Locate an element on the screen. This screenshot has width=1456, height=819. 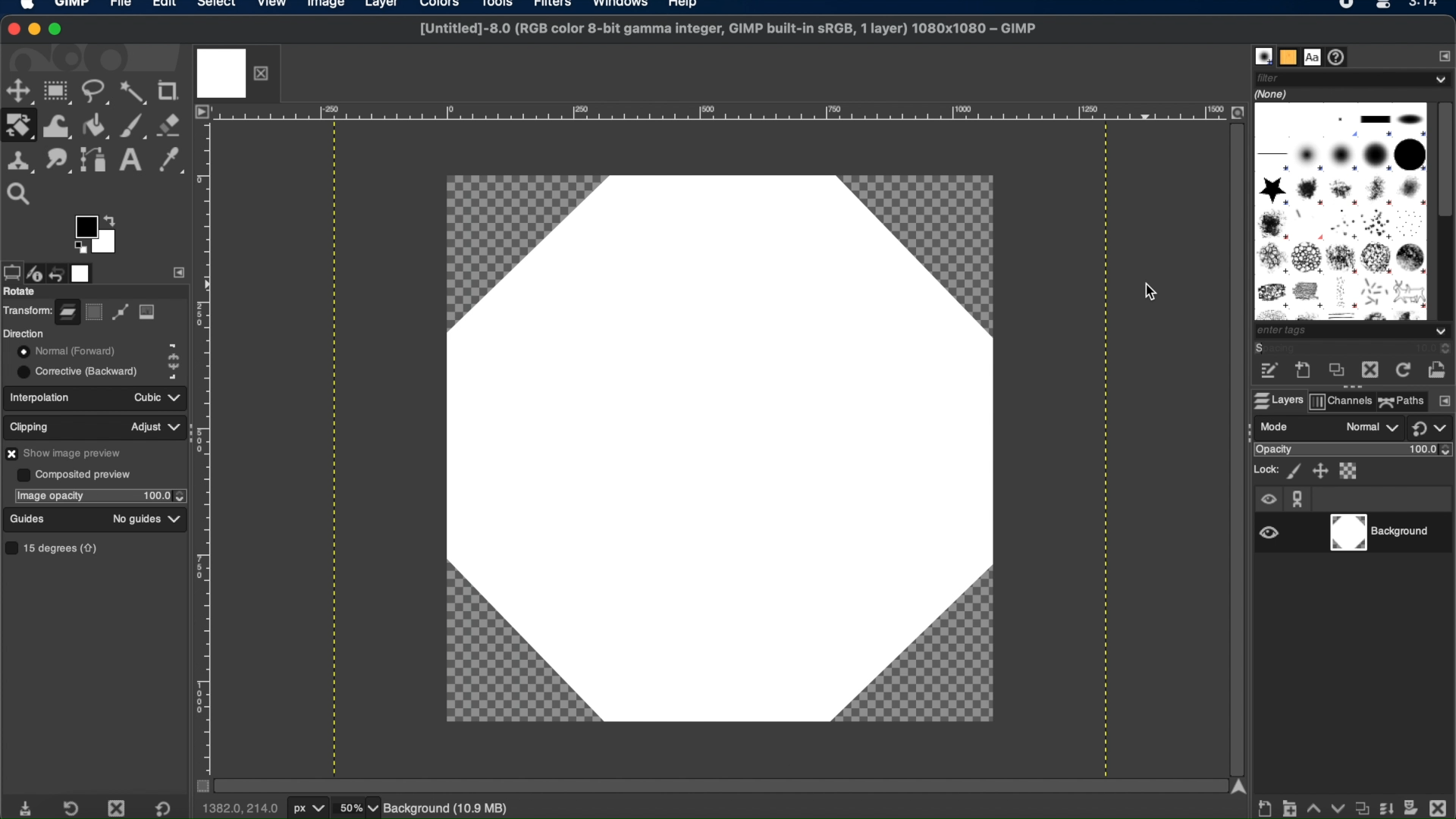
open brush as image is located at coordinates (1438, 366).